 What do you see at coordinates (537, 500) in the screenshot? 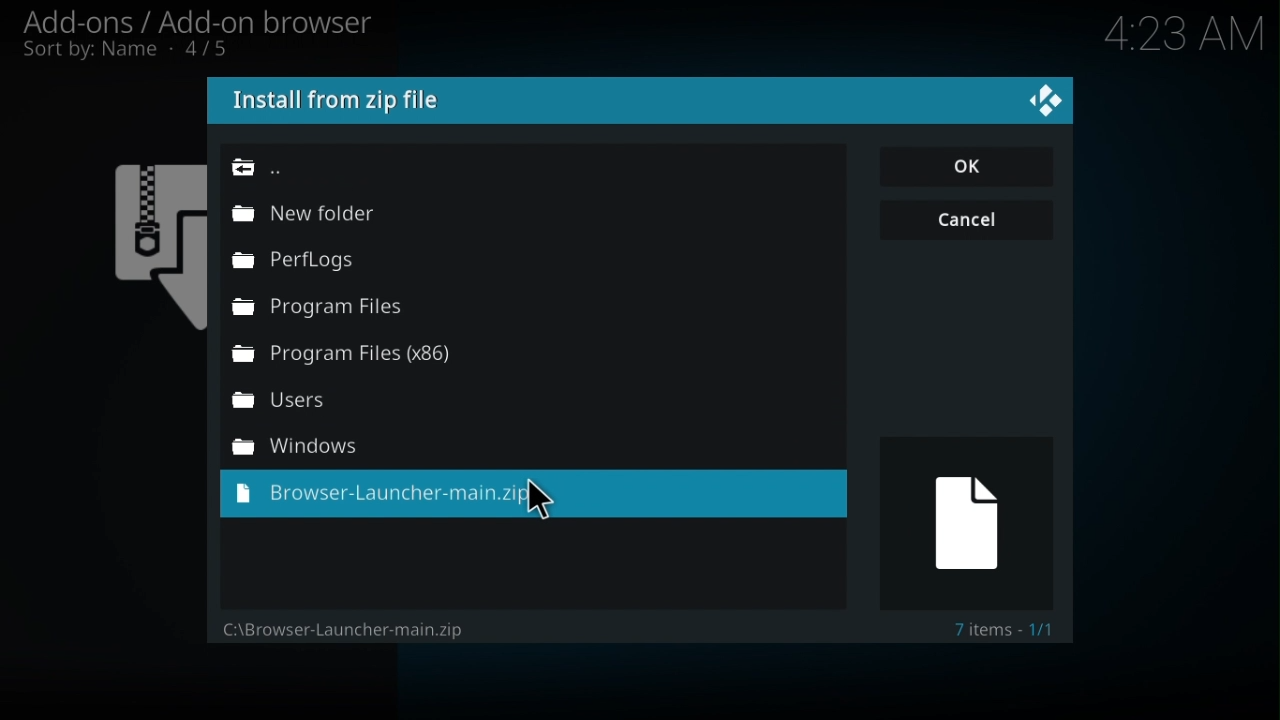
I see `cursor` at bounding box center [537, 500].